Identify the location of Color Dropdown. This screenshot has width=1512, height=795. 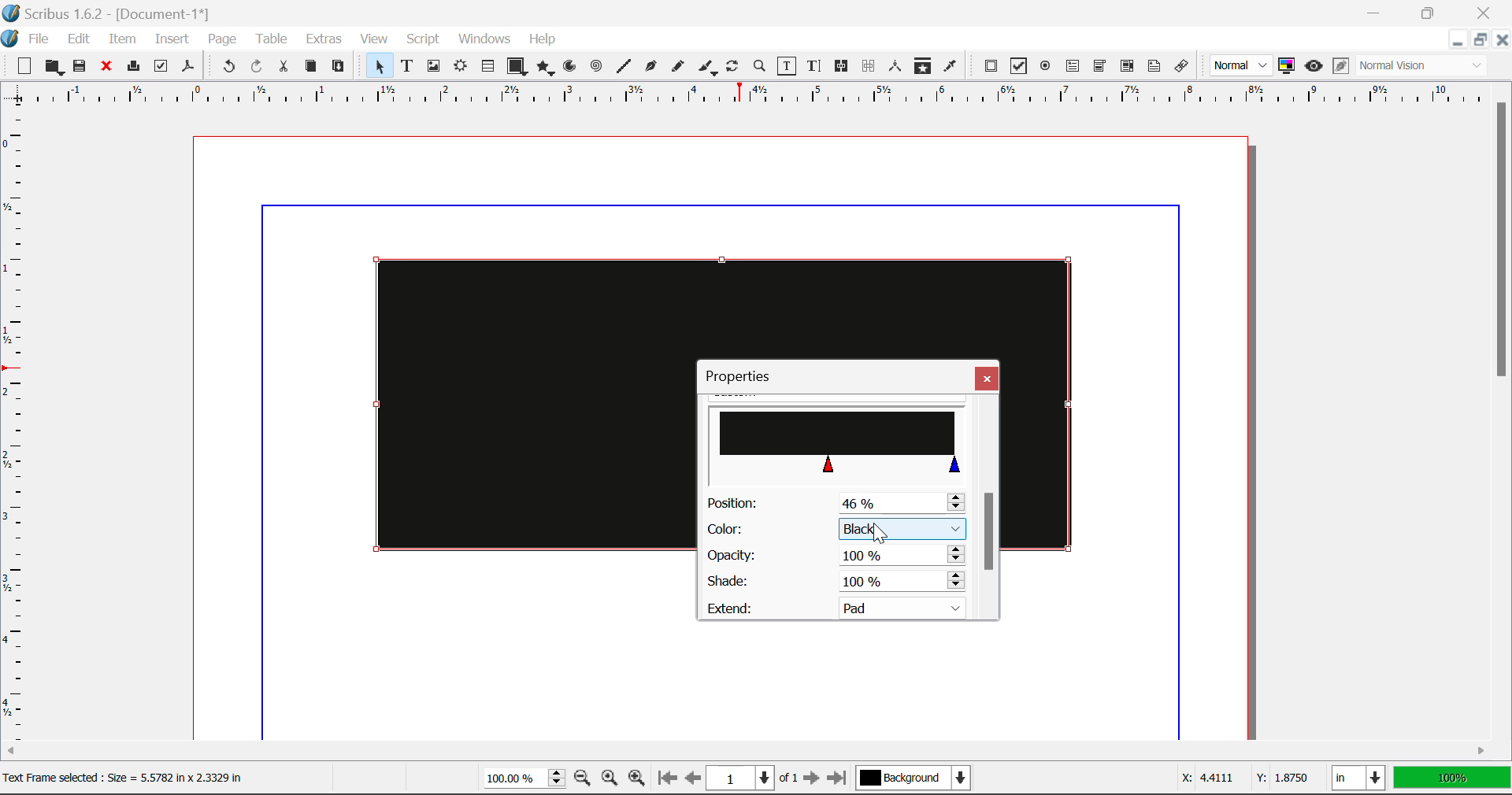
(835, 529).